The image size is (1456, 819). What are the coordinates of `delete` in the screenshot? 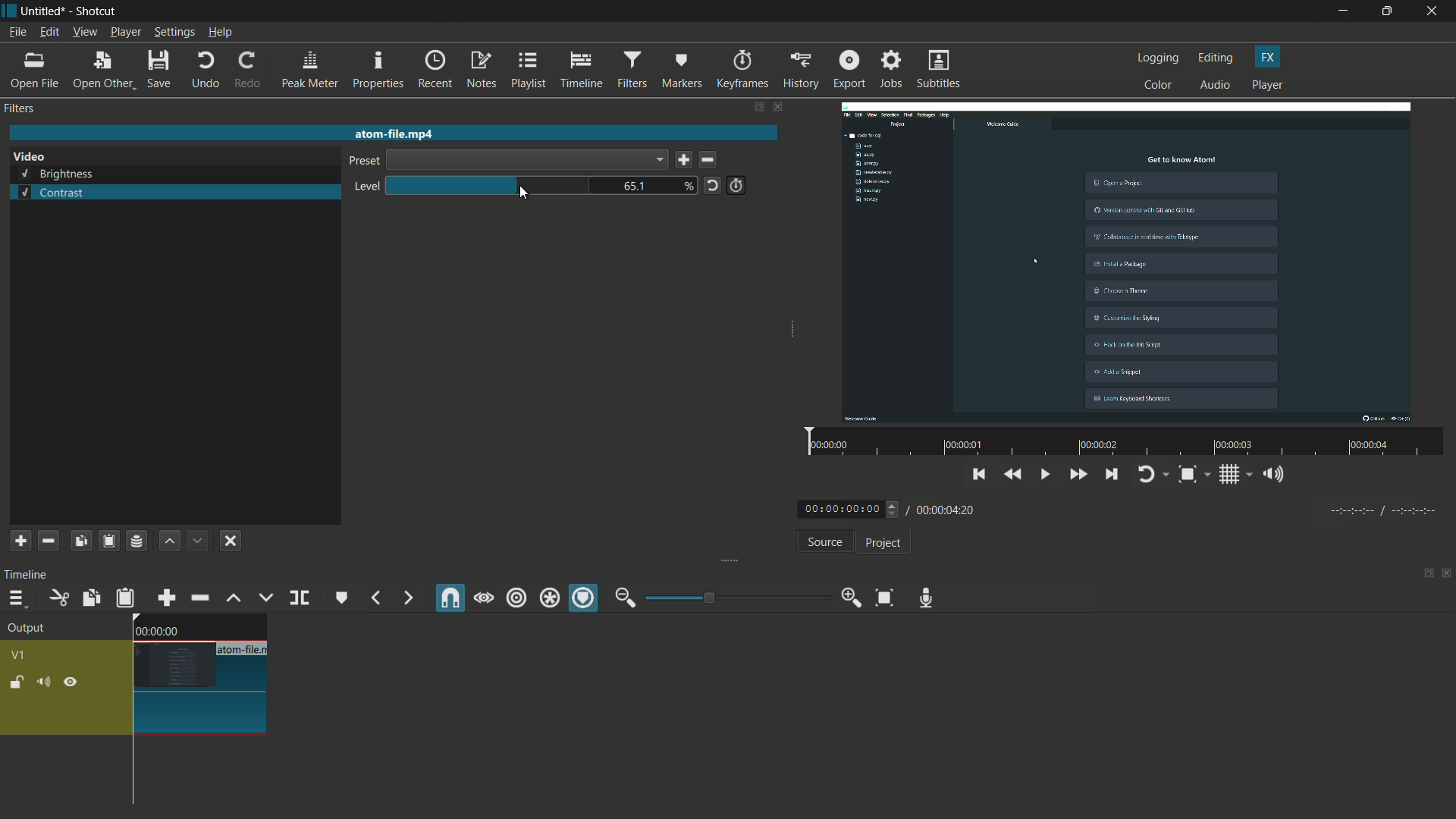 It's located at (711, 161).